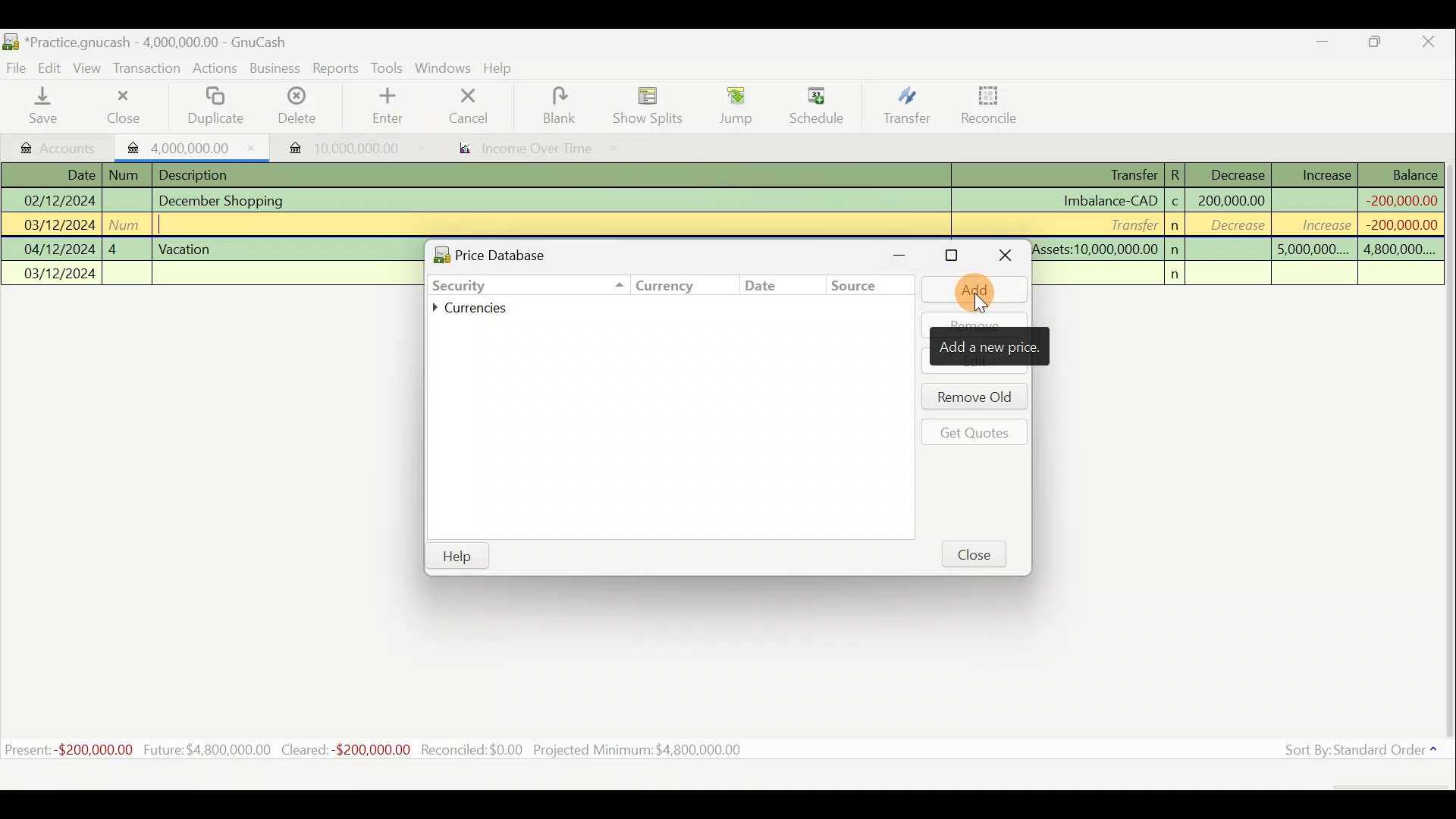 This screenshot has width=1456, height=819. What do you see at coordinates (17, 65) in the screenshot?
I see `File` at bounding box center [17, 65].